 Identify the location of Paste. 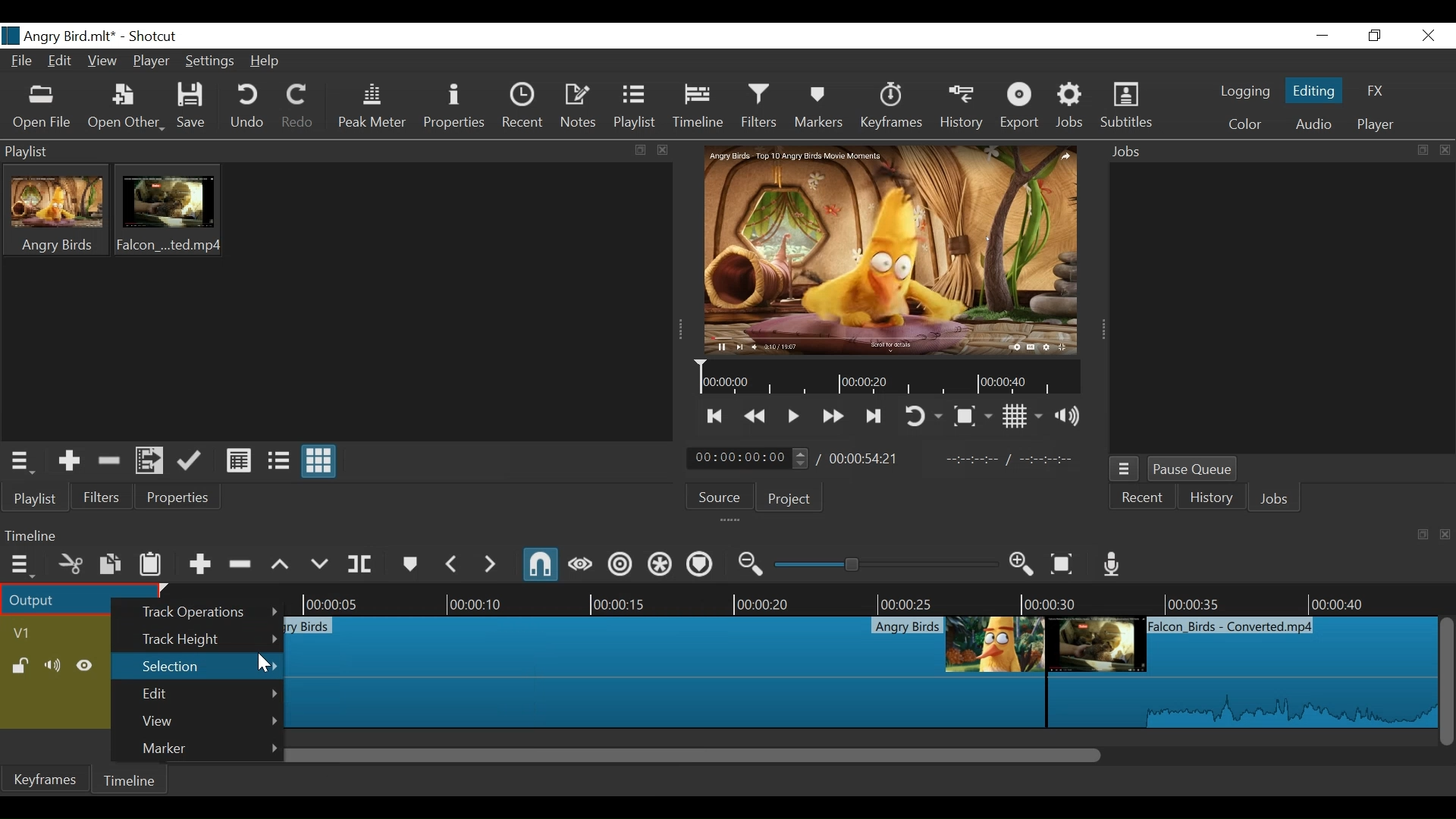
(151, 563).